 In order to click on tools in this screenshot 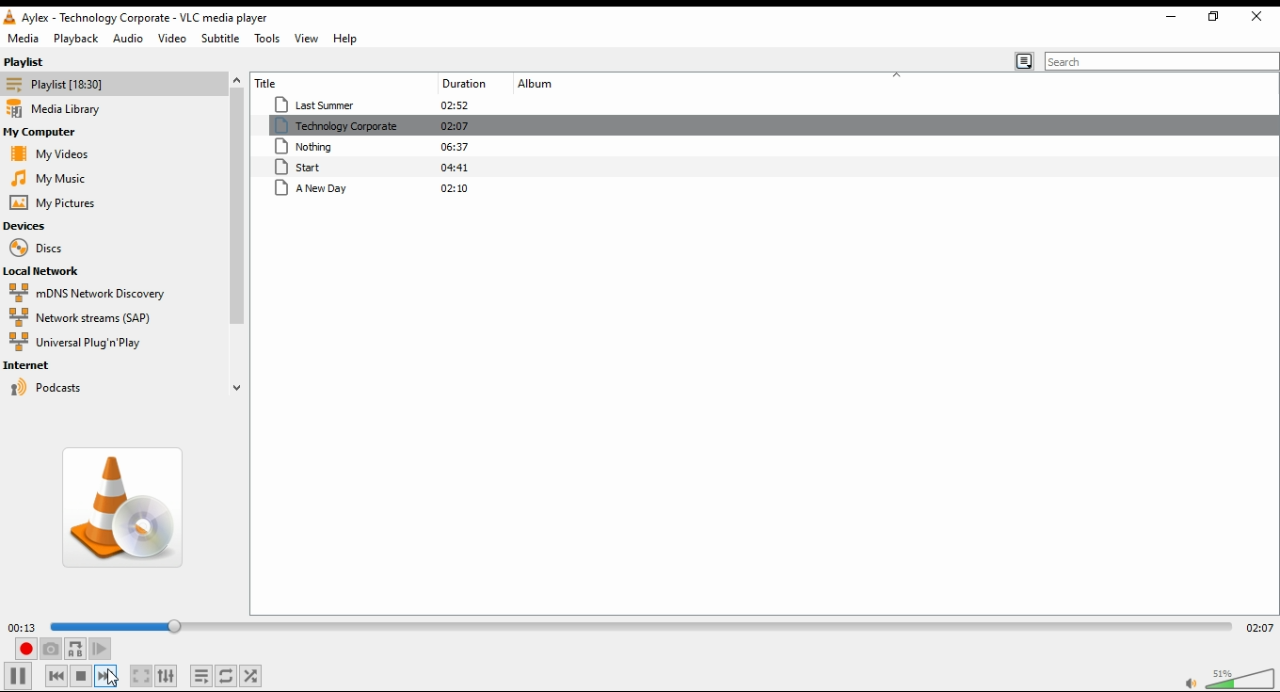, I will do `click(268, 39)`.